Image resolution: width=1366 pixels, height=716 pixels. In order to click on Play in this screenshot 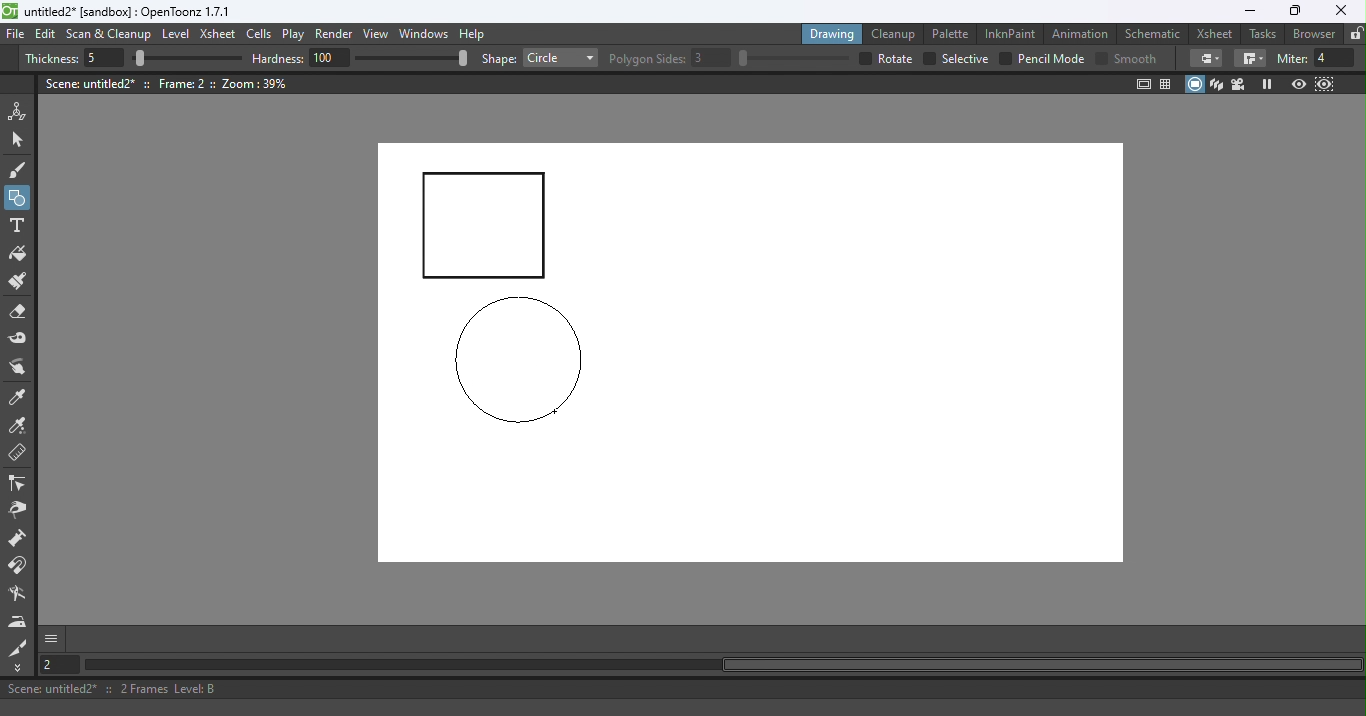, I will do `click(297, 35)`.